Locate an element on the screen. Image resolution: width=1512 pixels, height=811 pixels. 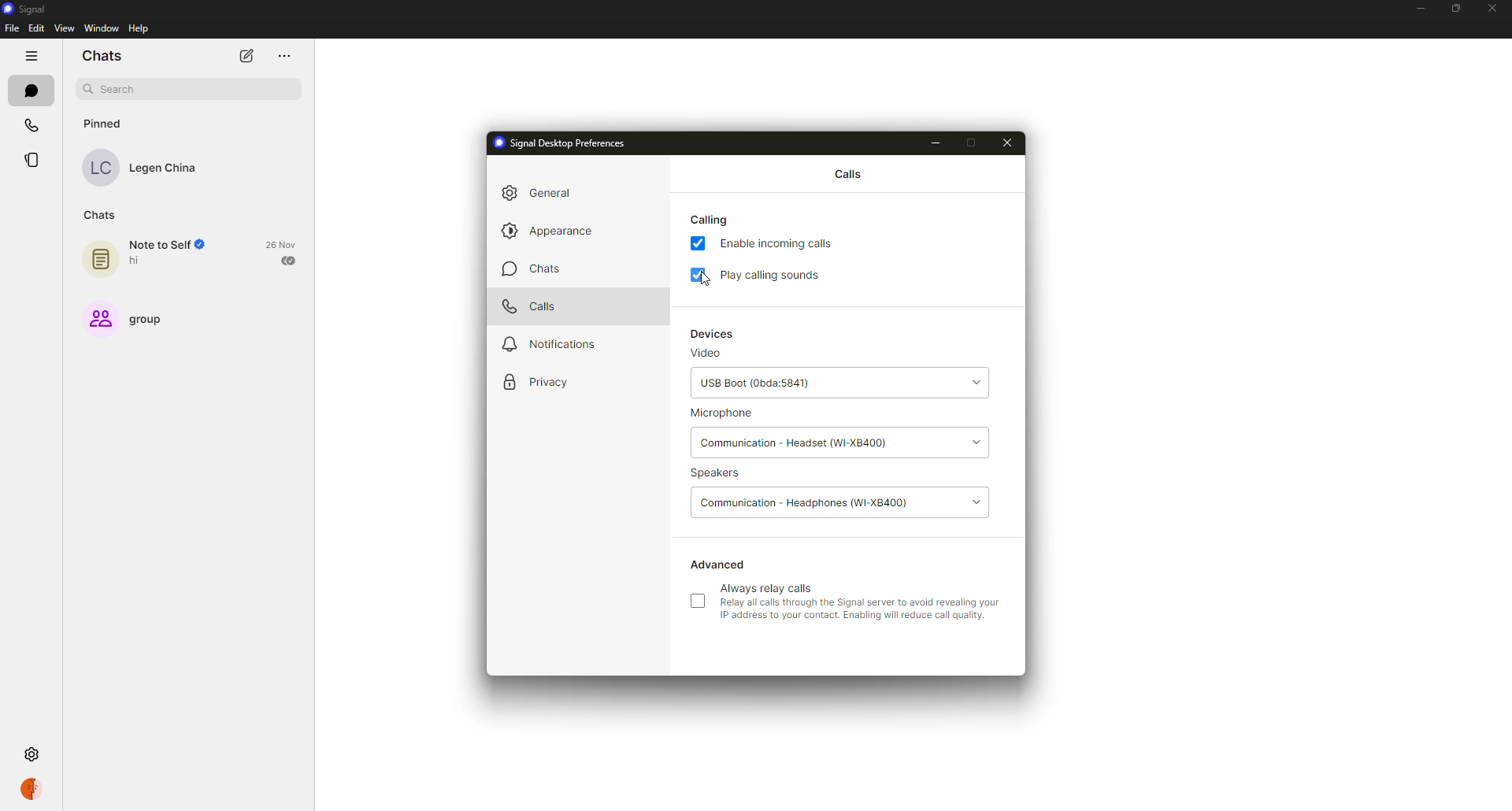
stories is located at coordinates (36, 160).